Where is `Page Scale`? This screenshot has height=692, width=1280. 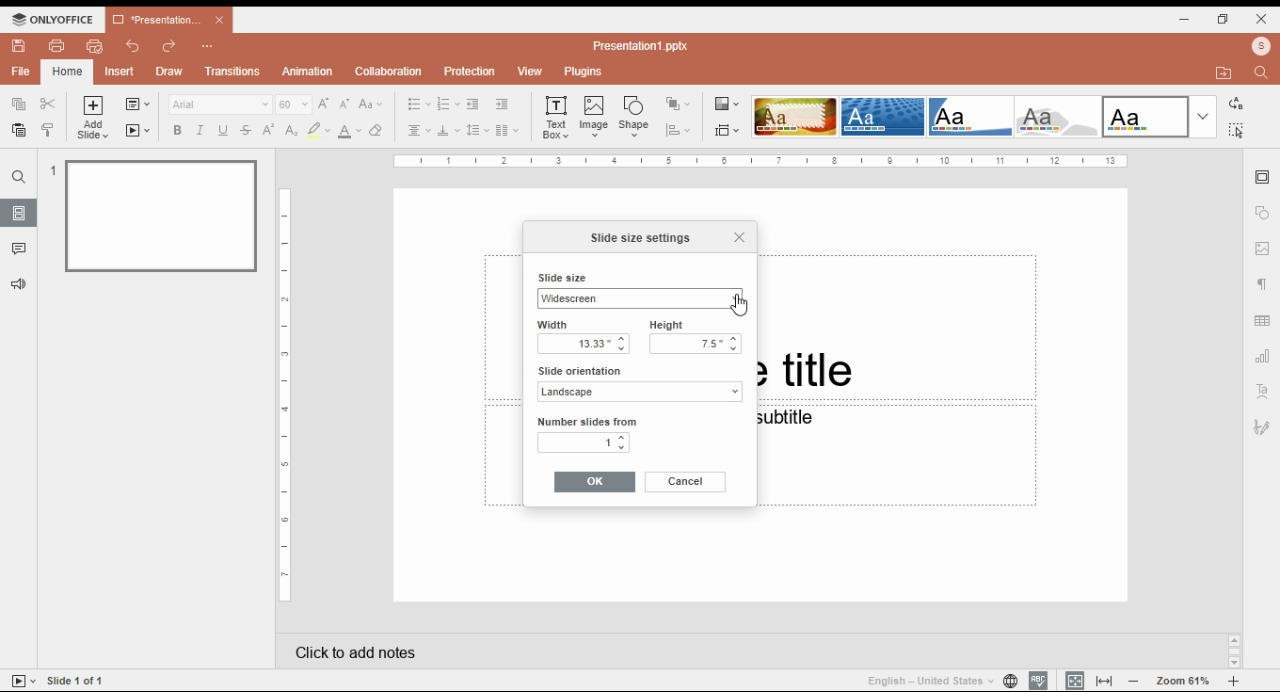
Page Scale is located at coordinates (761, 161).